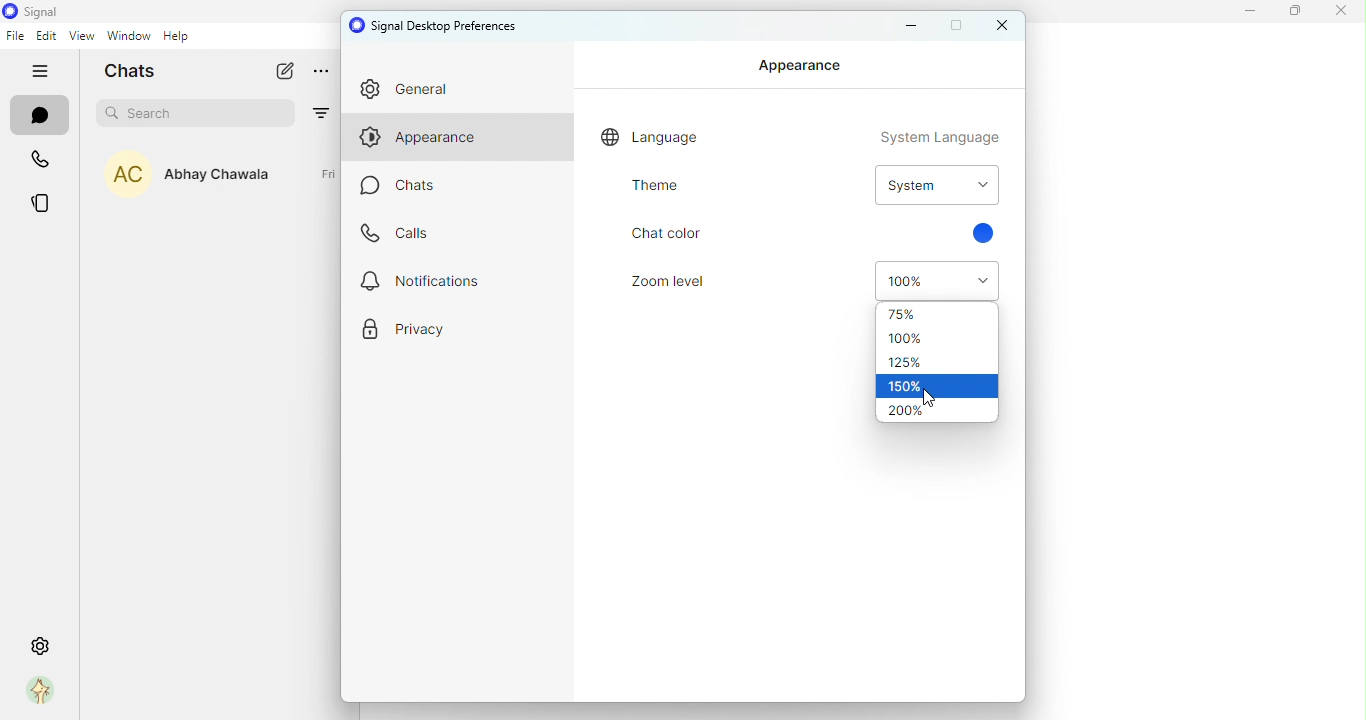 This screenshot has width=1366, height=720. I want to click on Language, so click(796, 138).